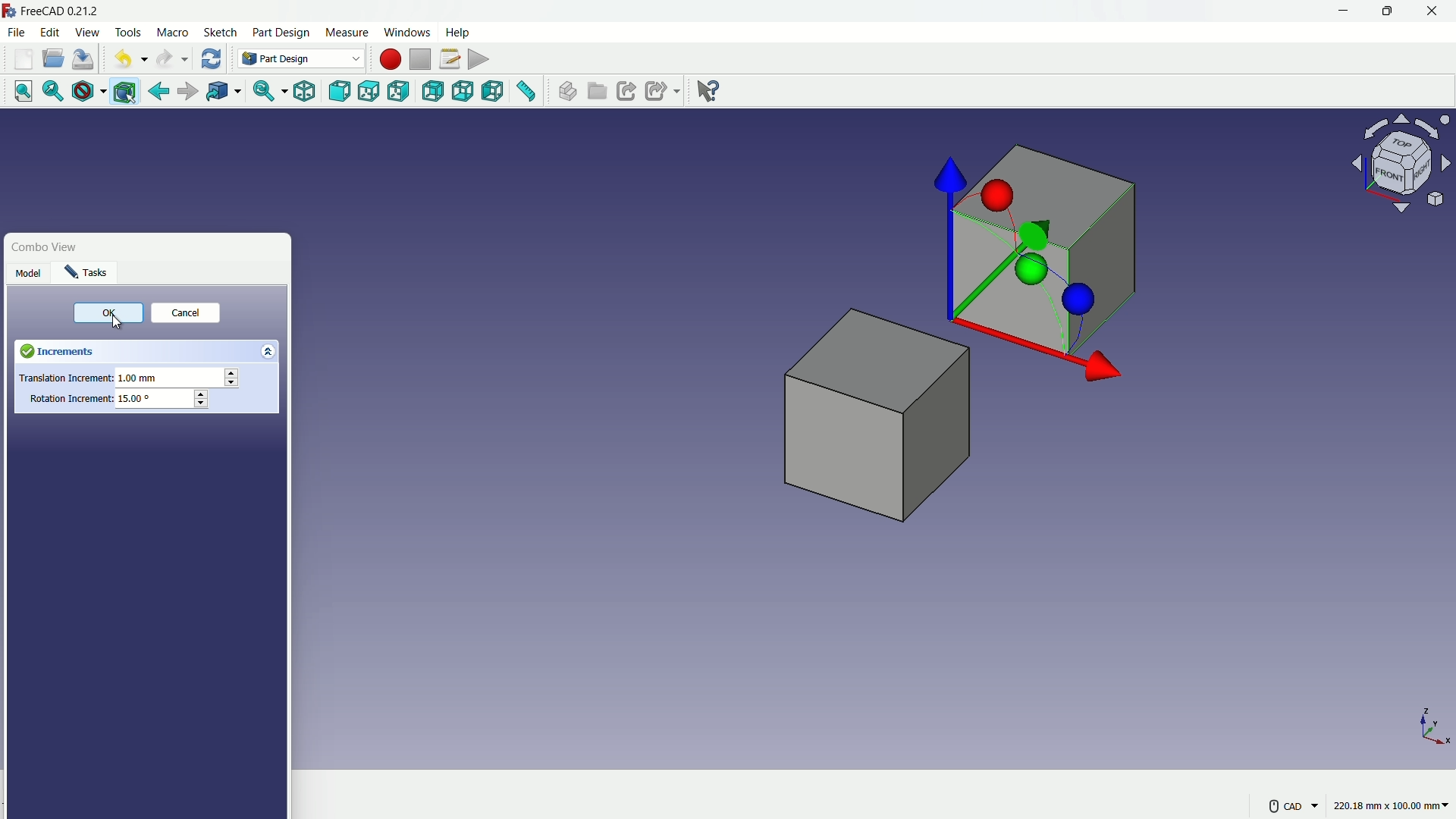  I want to click on fit all, so click(18, 90).